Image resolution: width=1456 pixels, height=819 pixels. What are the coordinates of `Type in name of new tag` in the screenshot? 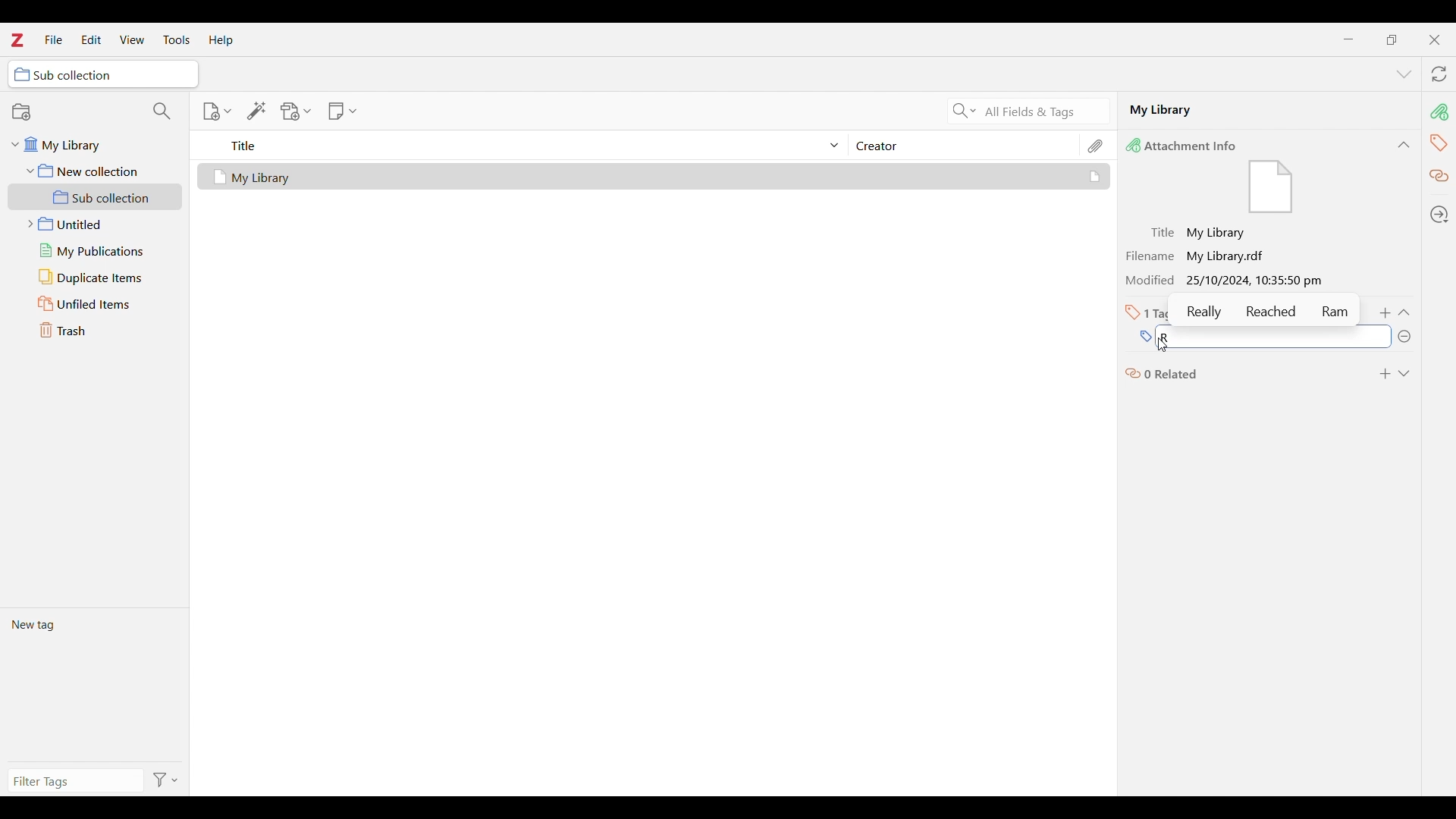 It's located at (1144, 337).